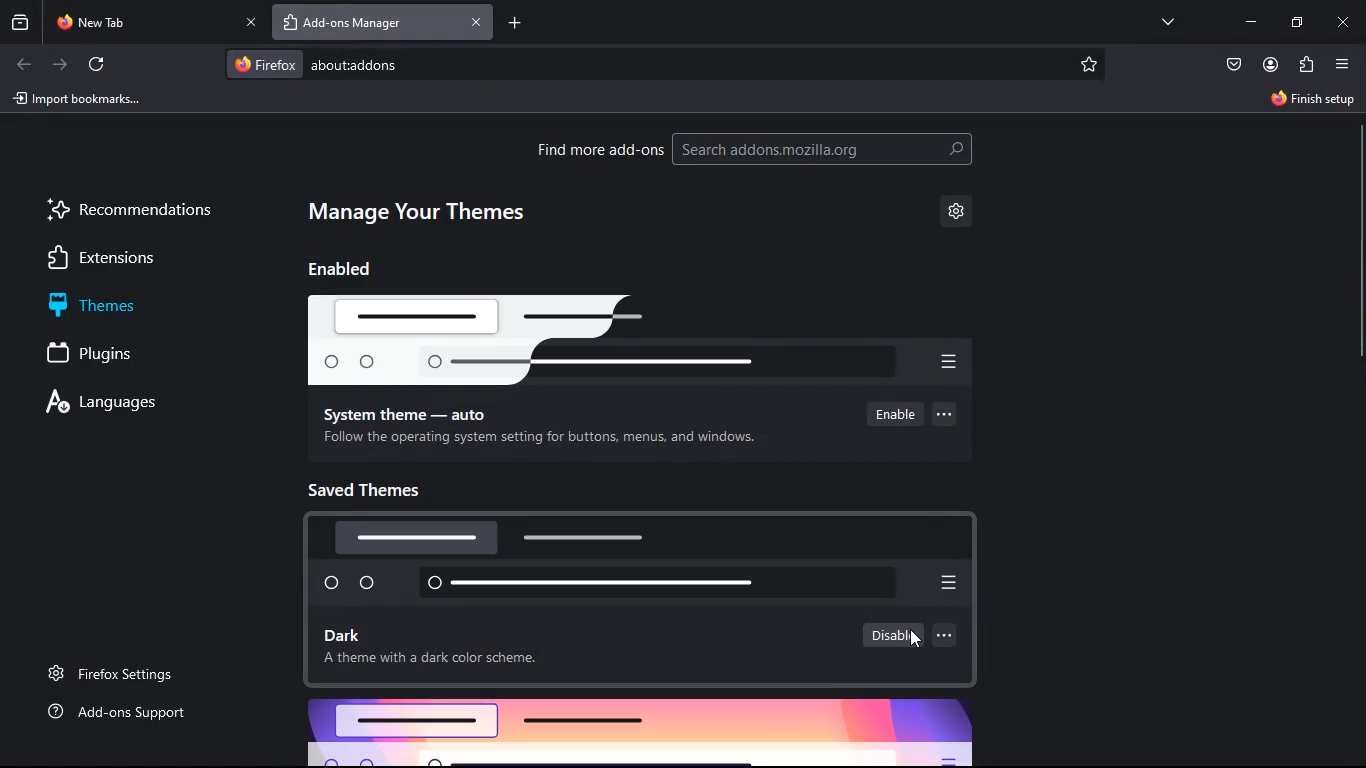  I want to click on add-ons support, so click(127, 714).